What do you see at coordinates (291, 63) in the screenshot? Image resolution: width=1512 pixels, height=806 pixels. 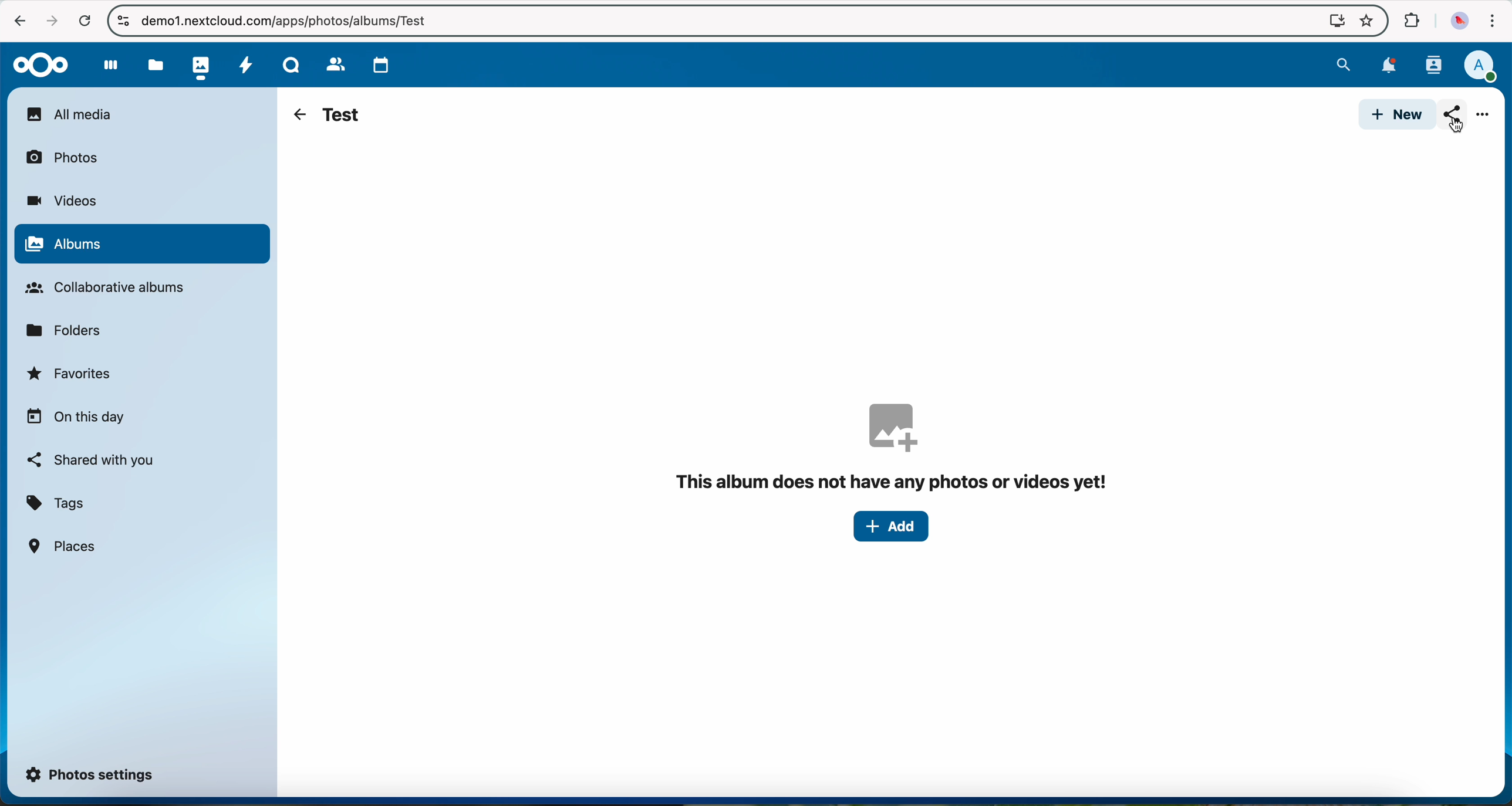 I see `Talk` at bounding box center [291, 63].